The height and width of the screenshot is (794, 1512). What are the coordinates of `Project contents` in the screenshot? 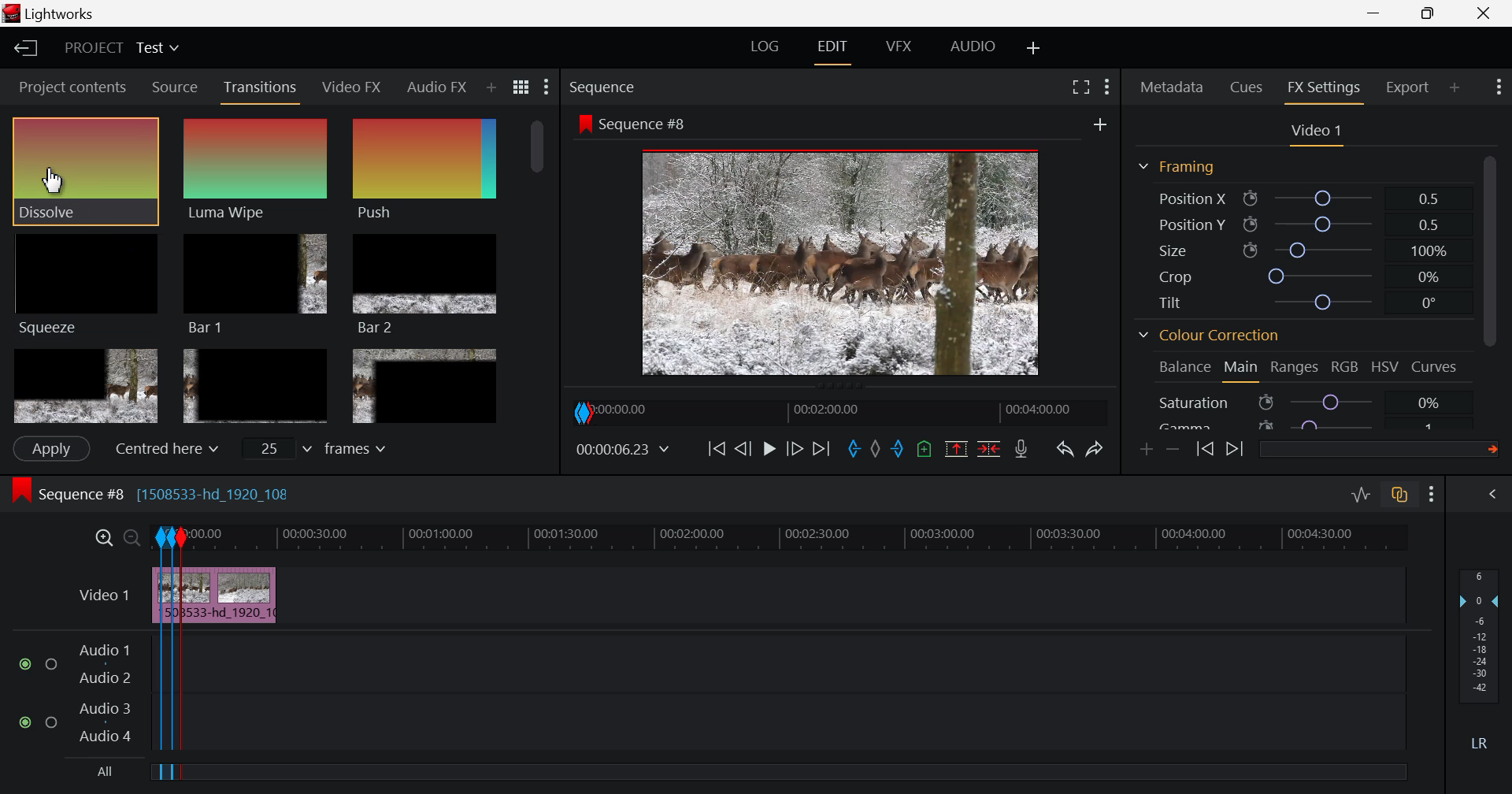 It's located at (67, 87).